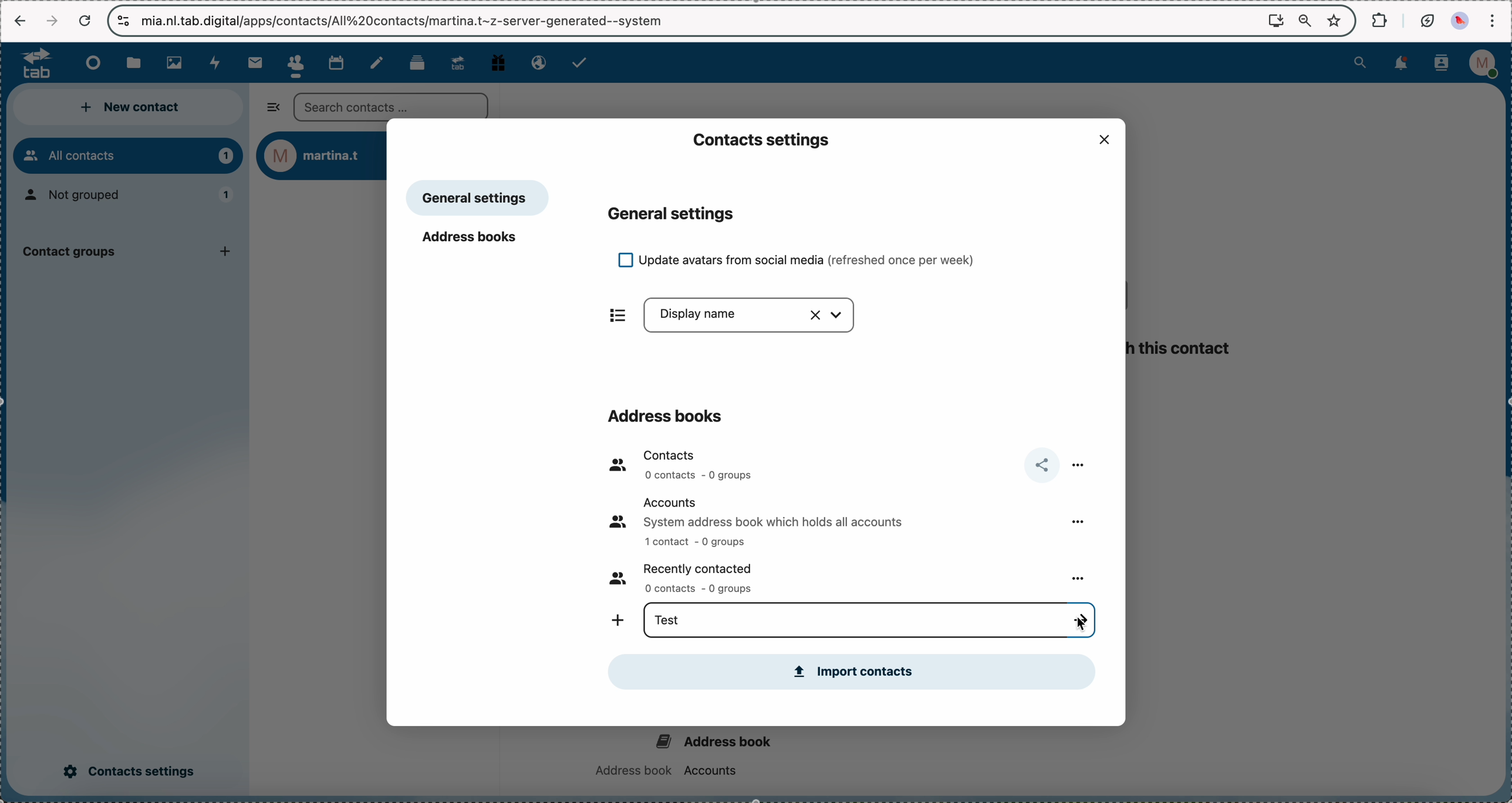 The height and width of the screenshot is (803, 1512). Describe the element at coordinates (1483, 63) in the screenshot. I see `profile` at that location.